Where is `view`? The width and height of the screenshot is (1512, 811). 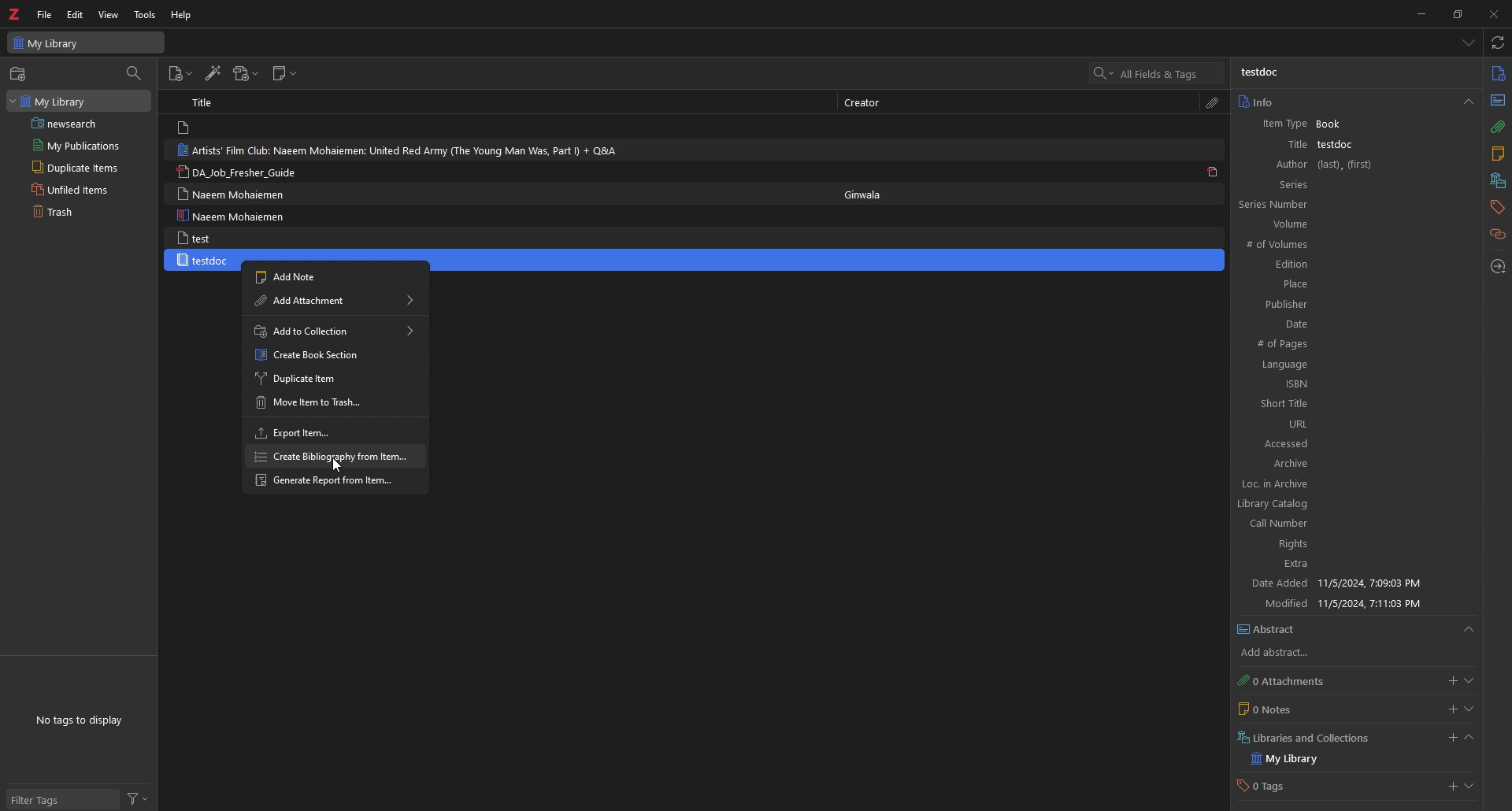
view is located at coordinates (109, 15).